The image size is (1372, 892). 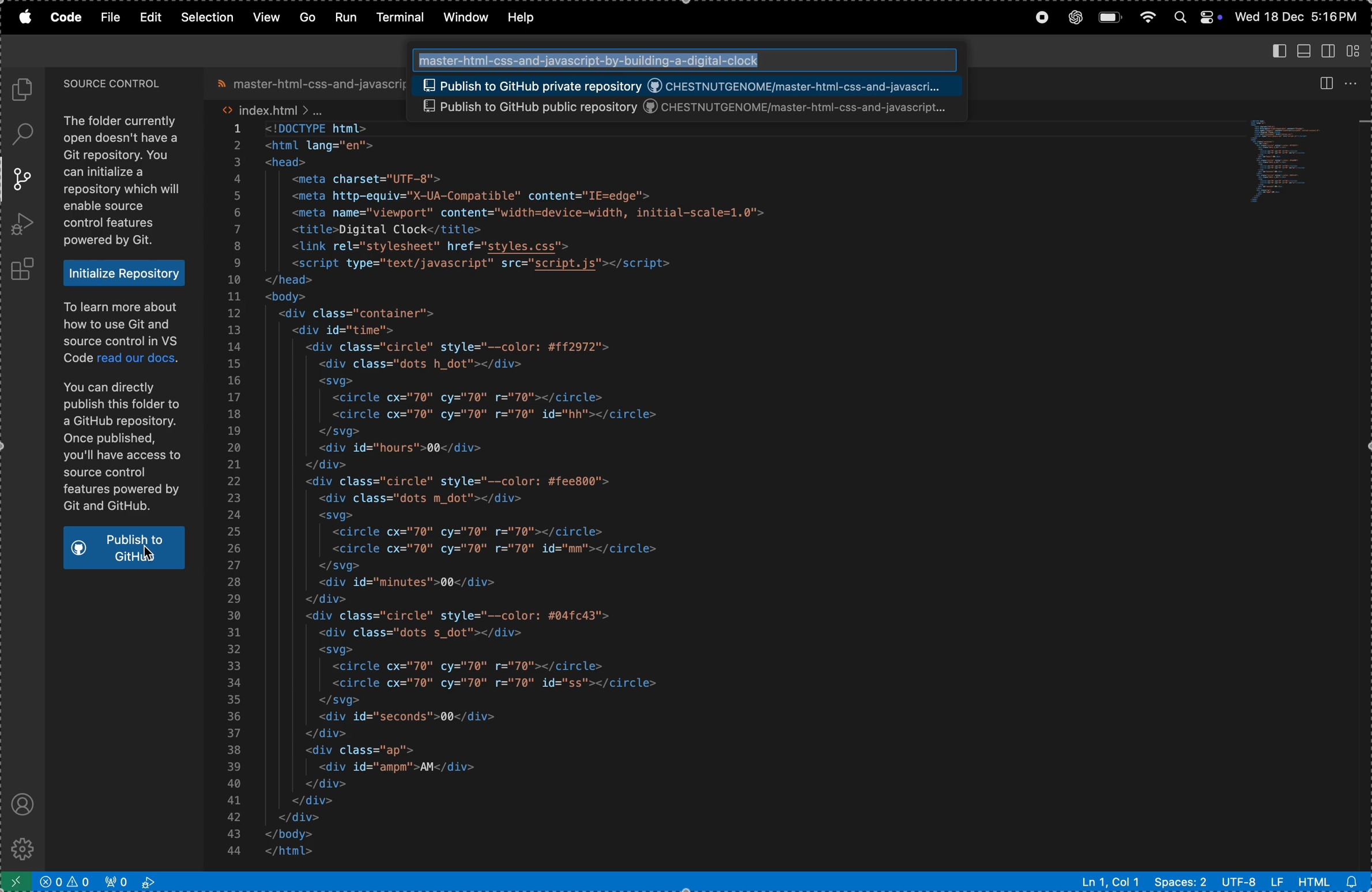 I want to click on <div class="ap">, so click(x=362, y=752).